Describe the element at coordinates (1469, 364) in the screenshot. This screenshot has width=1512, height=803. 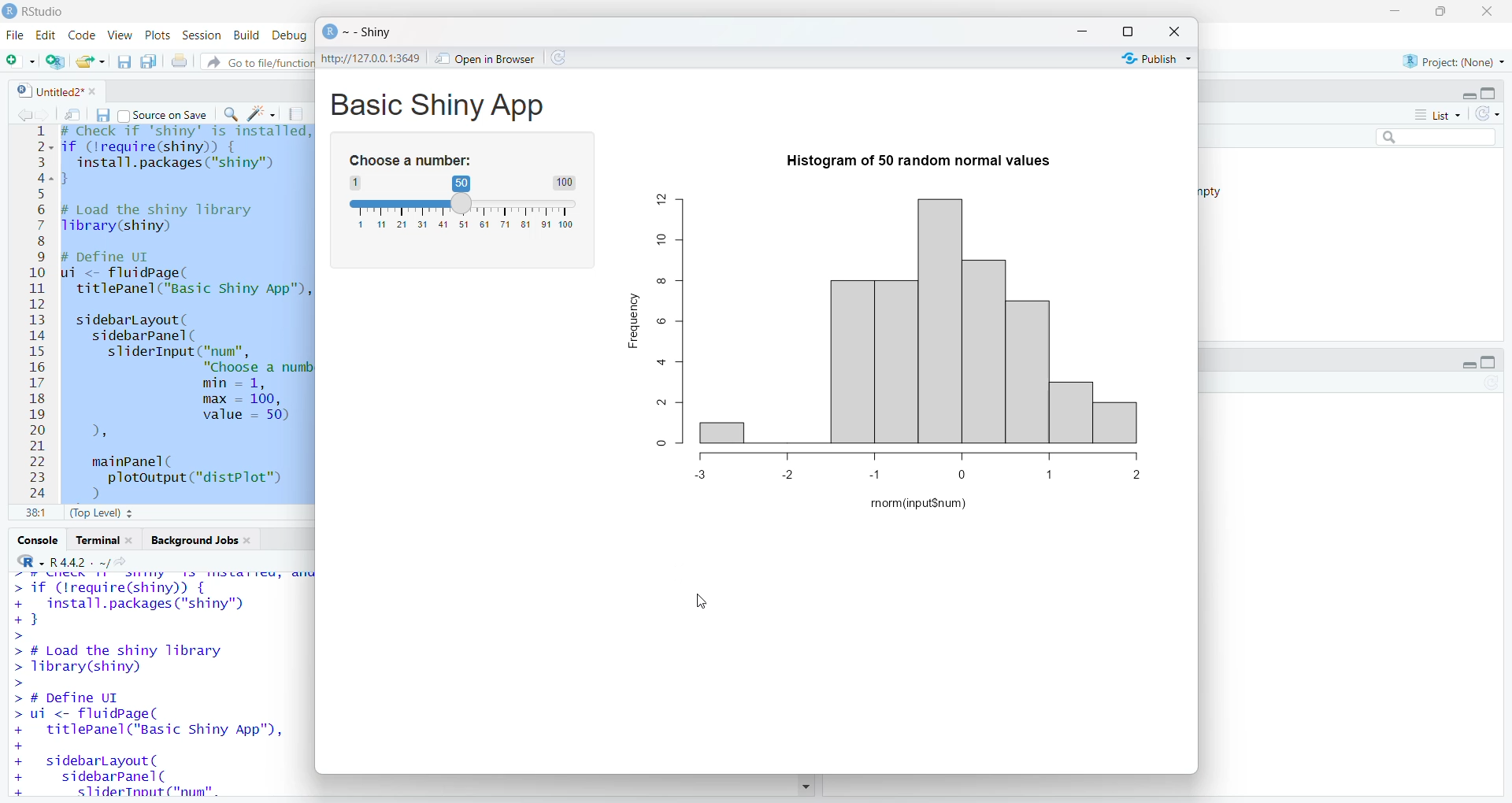
I see `minimize` at that location.